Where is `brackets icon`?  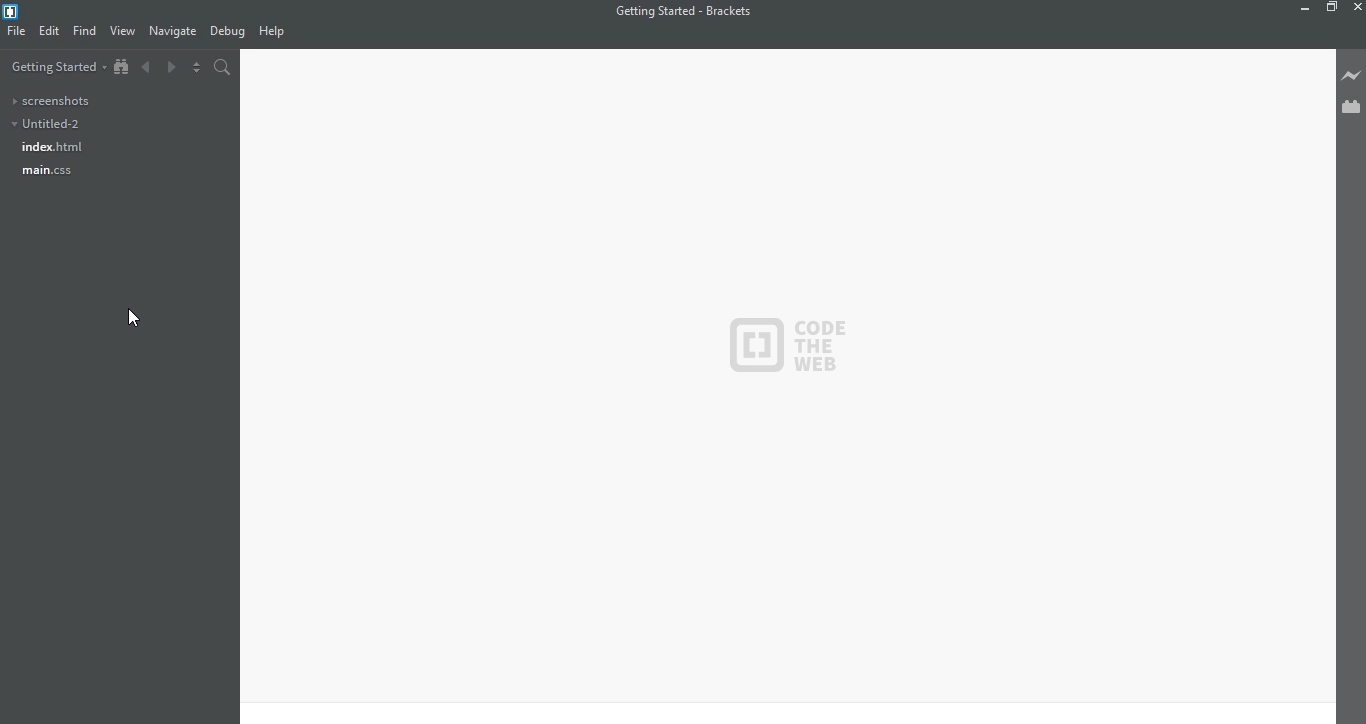
brackets icon is located at coordinates (14, 9).